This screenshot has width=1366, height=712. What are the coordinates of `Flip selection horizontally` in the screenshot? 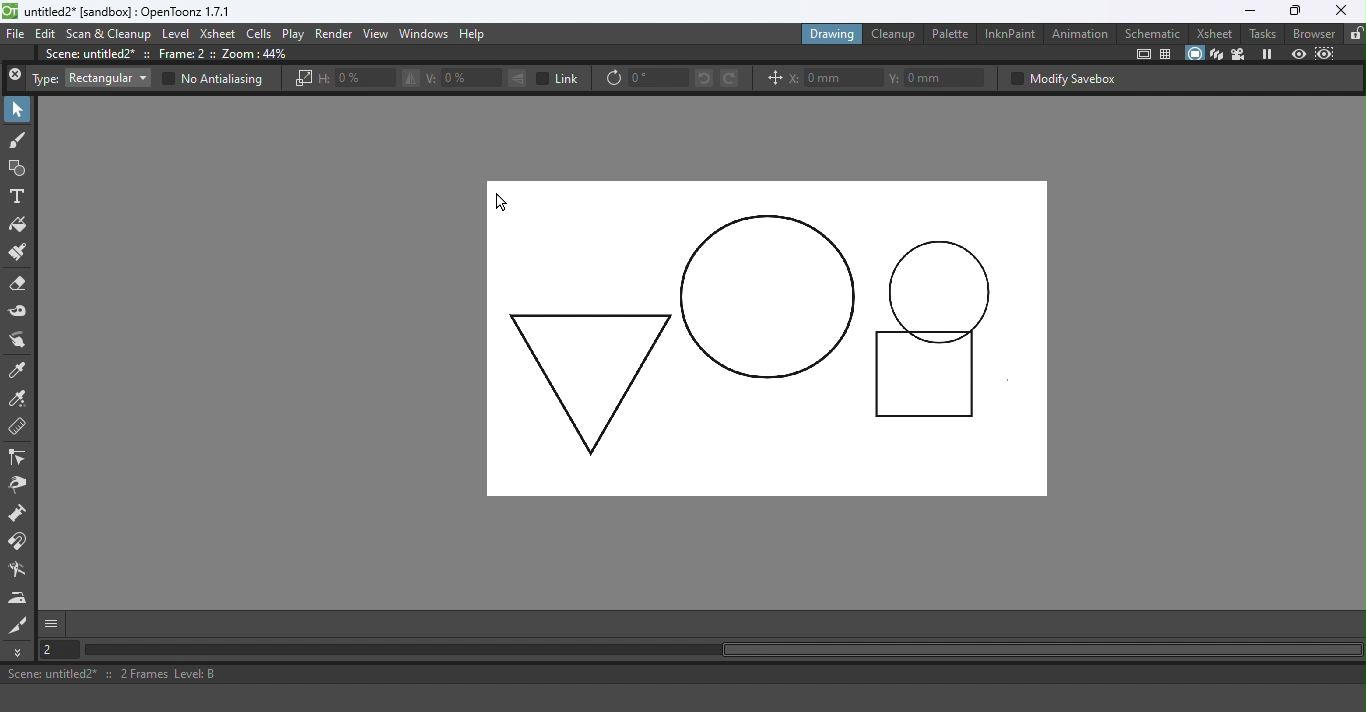 It's located at (409, 79).